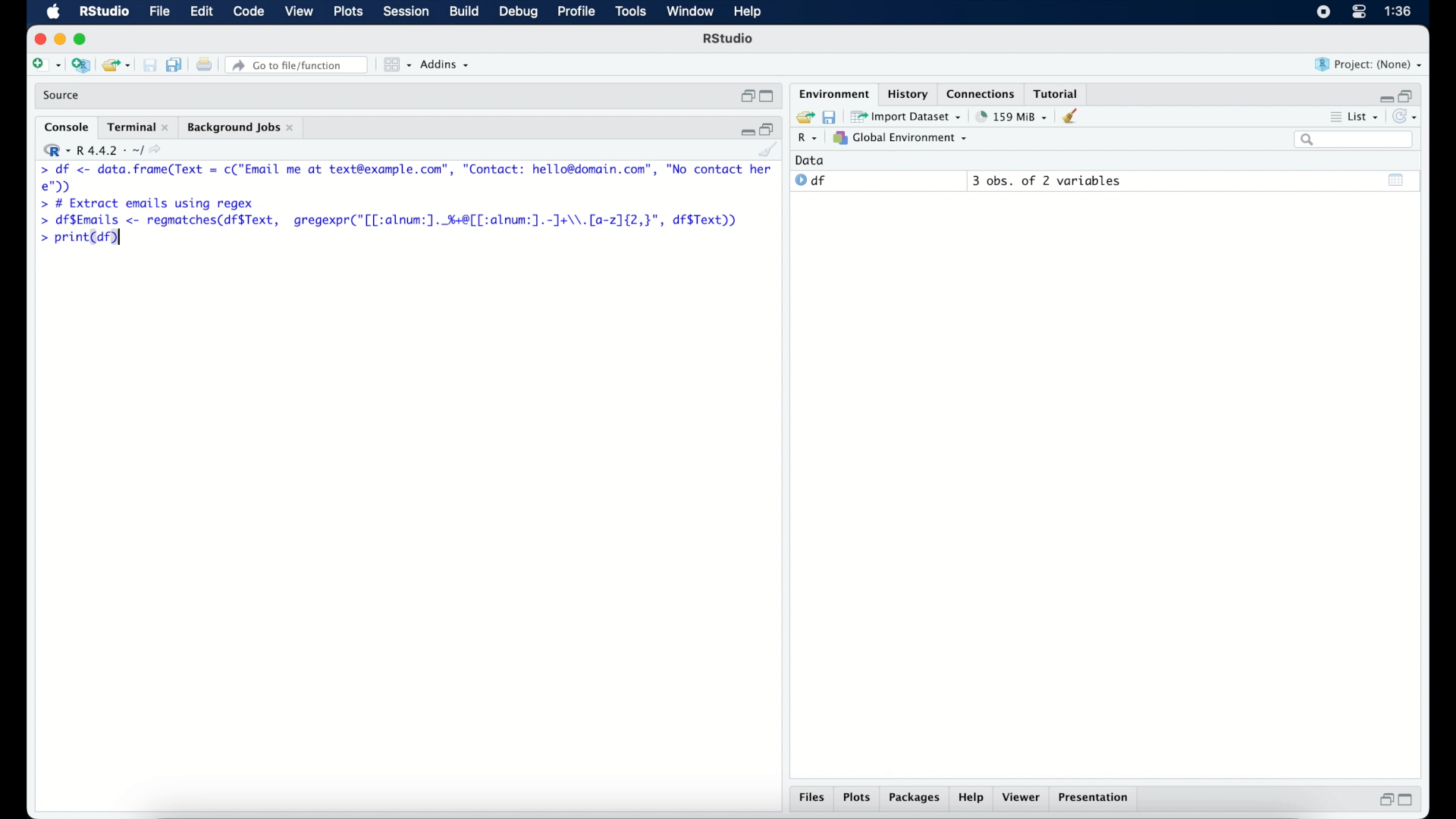 Image resolution: width=1456 pixels, height=819 pixels. Describe the element at coordinates (52, 12) in the screenshot. I see `macOS` at that location.